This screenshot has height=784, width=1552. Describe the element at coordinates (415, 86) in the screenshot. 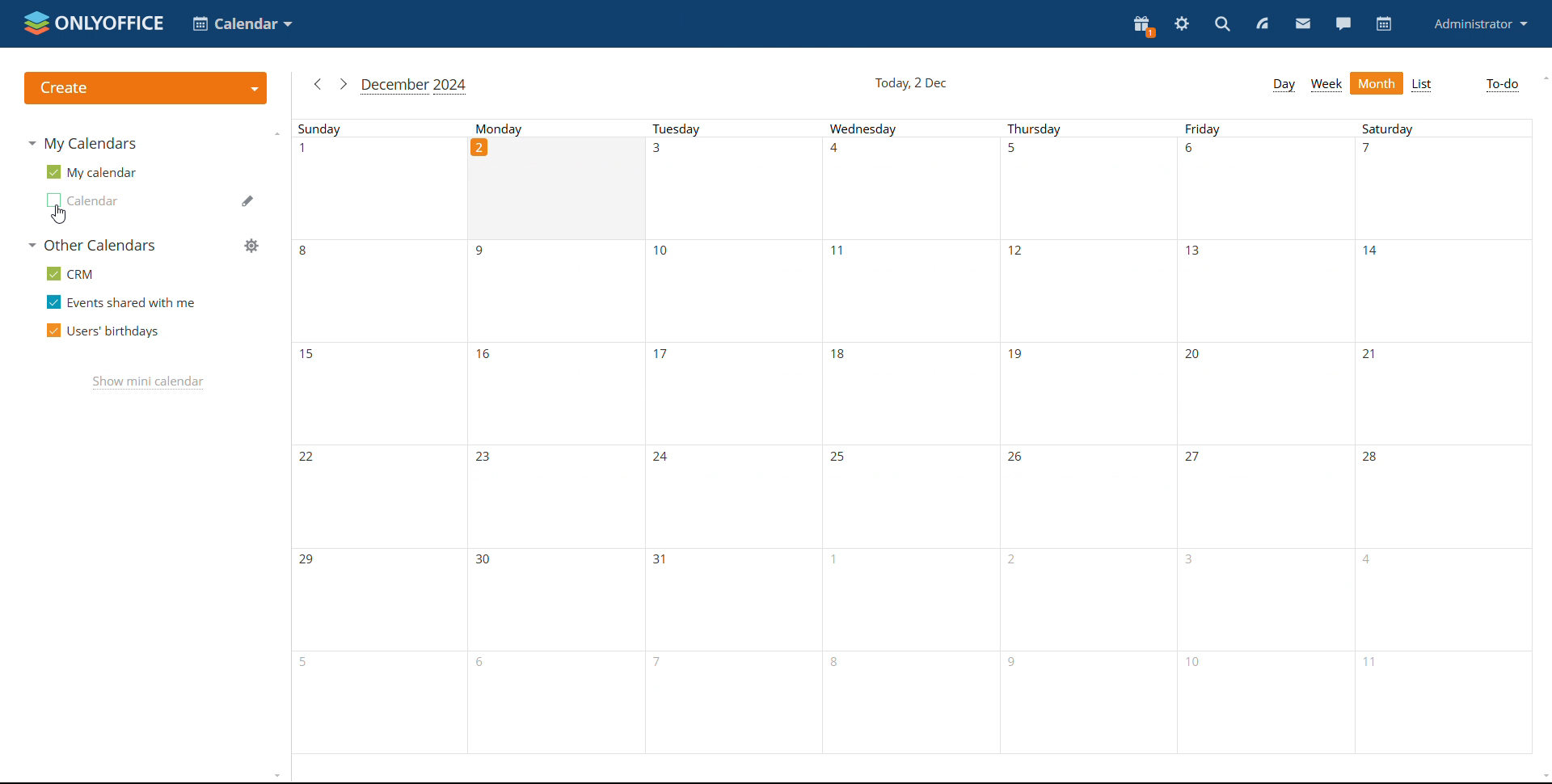

I see `current month` at that location.